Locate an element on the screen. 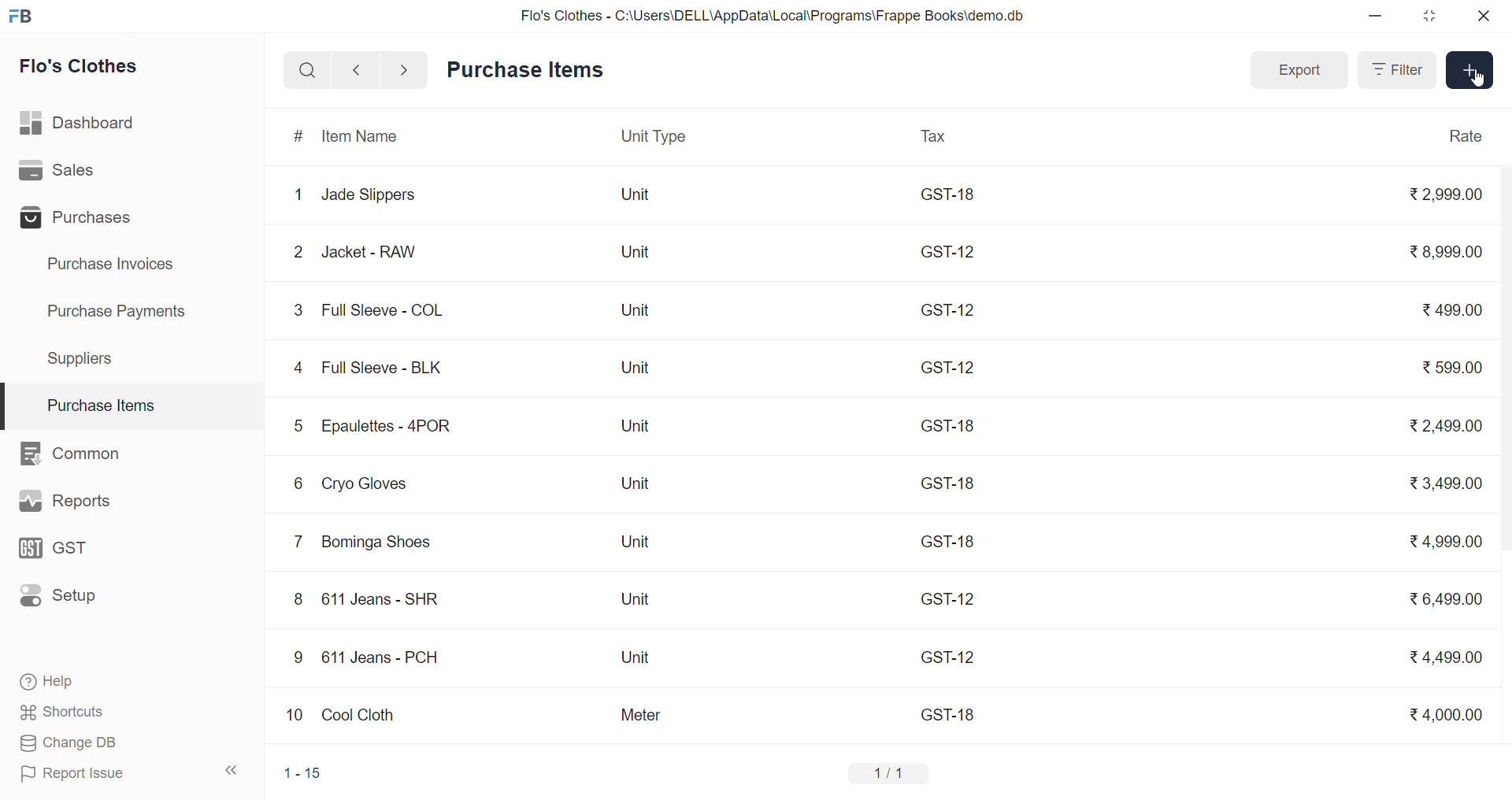  ₹499.00 is located at coordinates (1451, 309).